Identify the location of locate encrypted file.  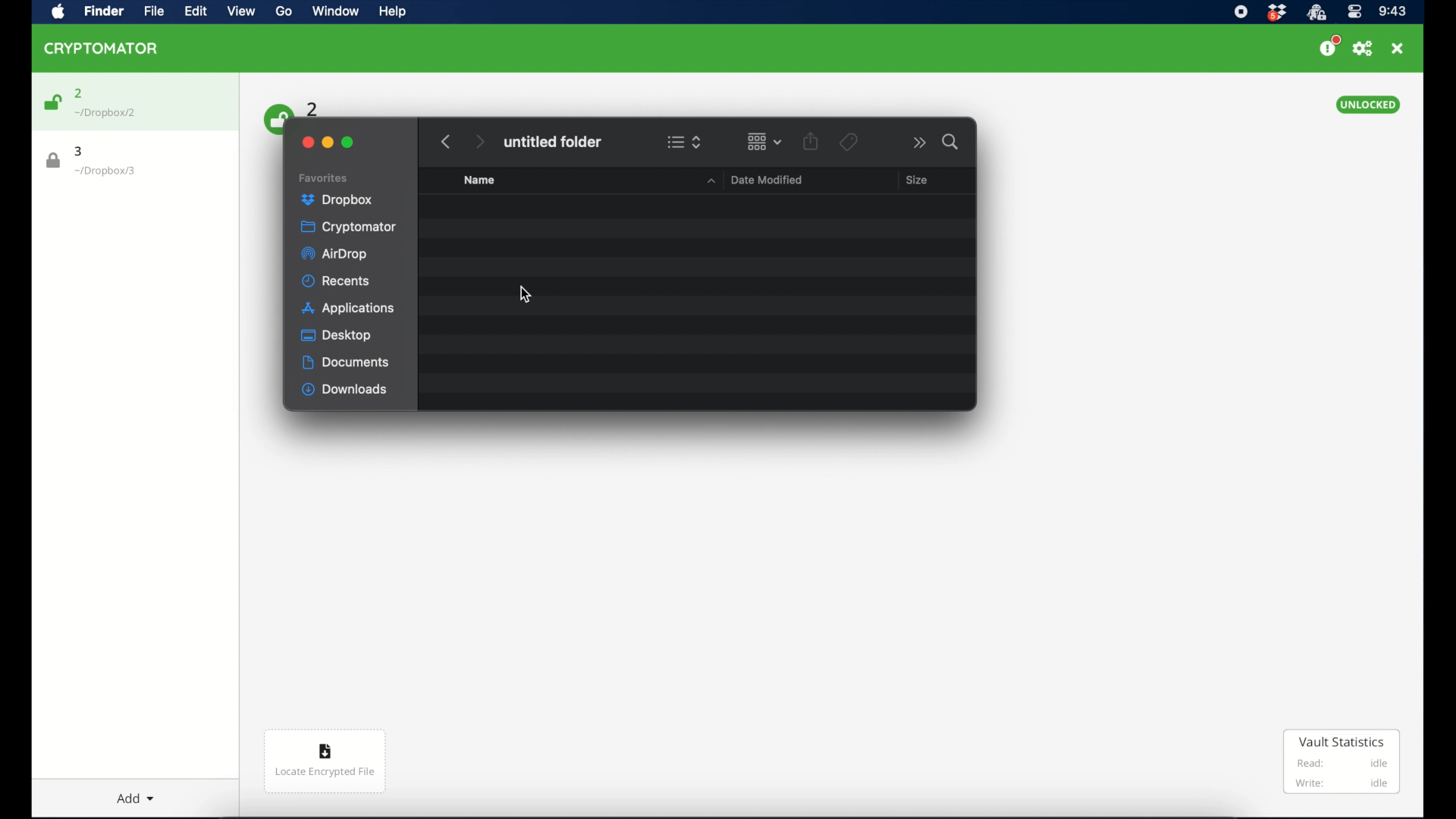
(325, 761).